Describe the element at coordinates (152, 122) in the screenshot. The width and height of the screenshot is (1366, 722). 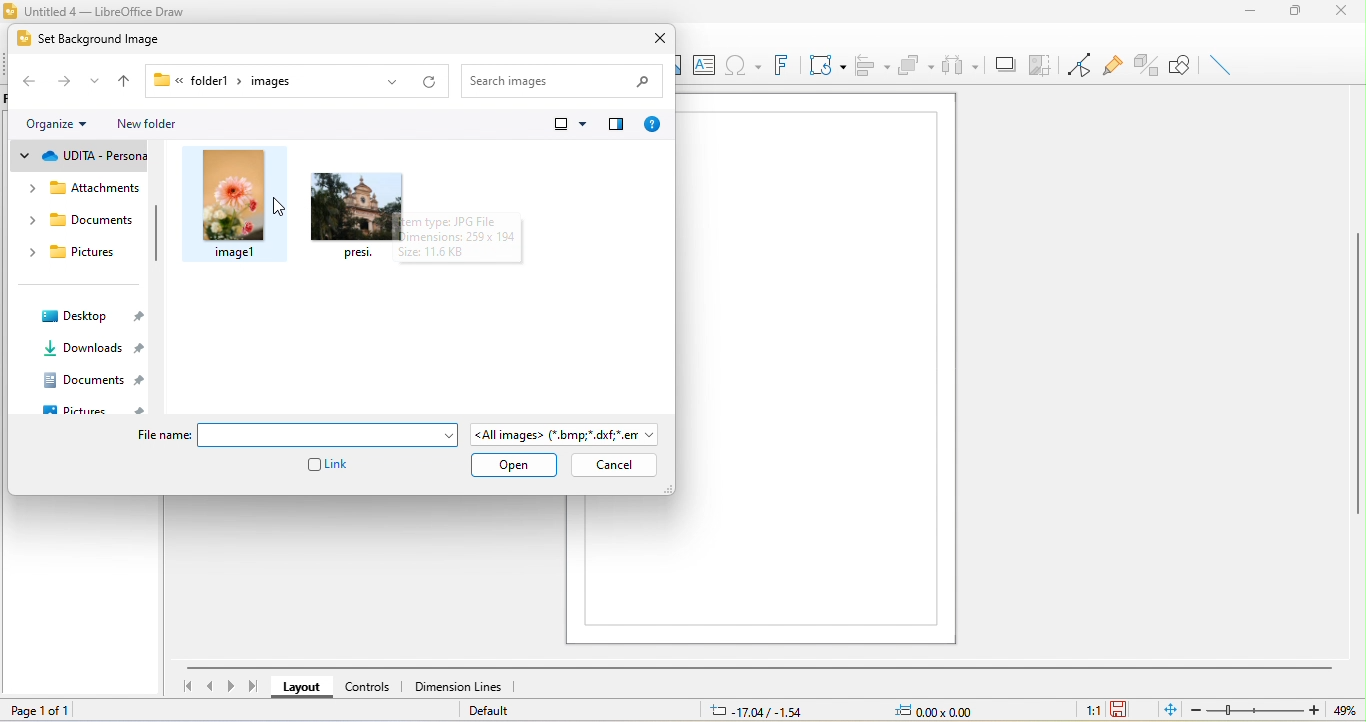
I see `new folder` at that location.